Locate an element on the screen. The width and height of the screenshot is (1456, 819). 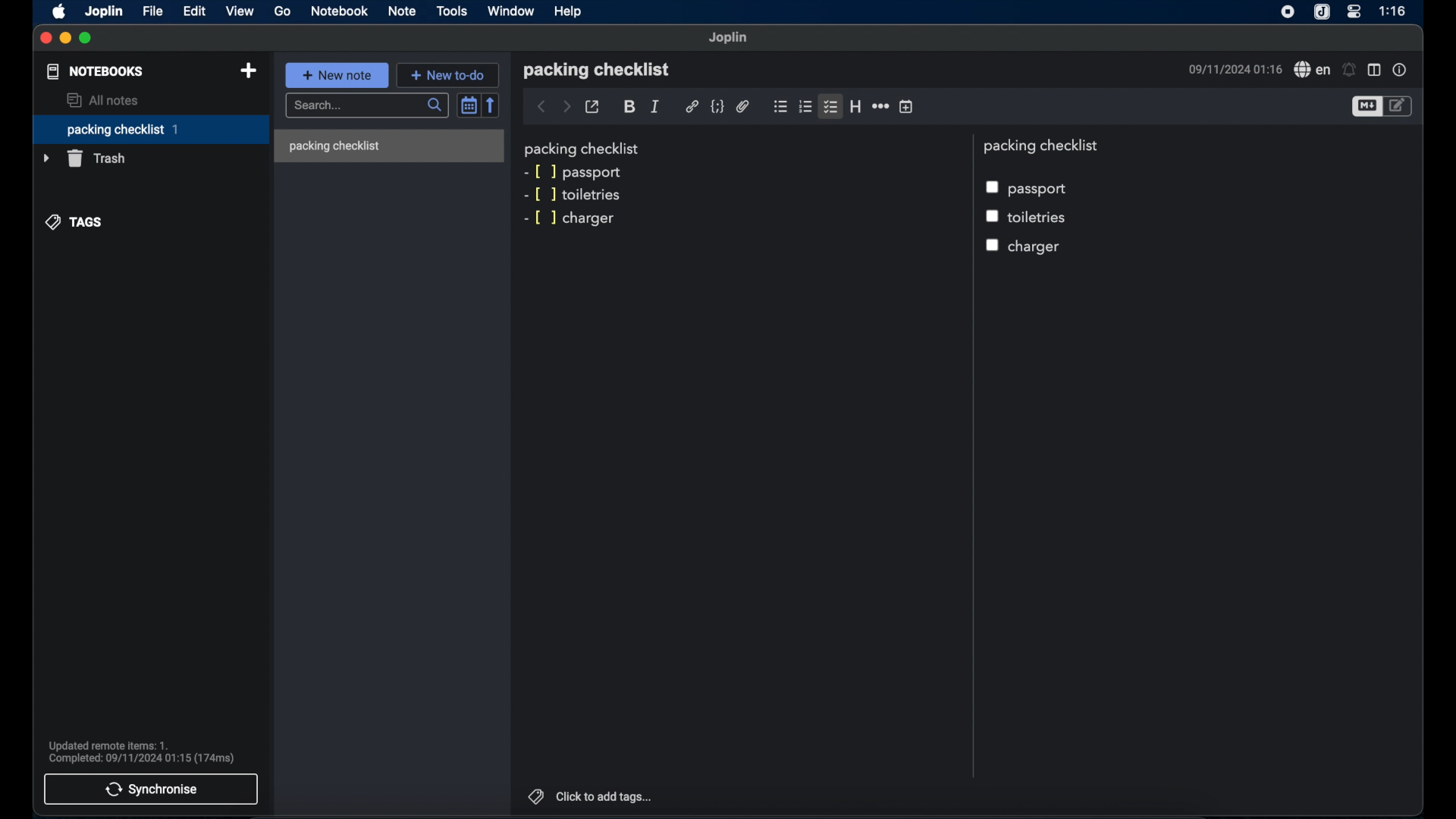
all notes is located at coordinates (105, 100).